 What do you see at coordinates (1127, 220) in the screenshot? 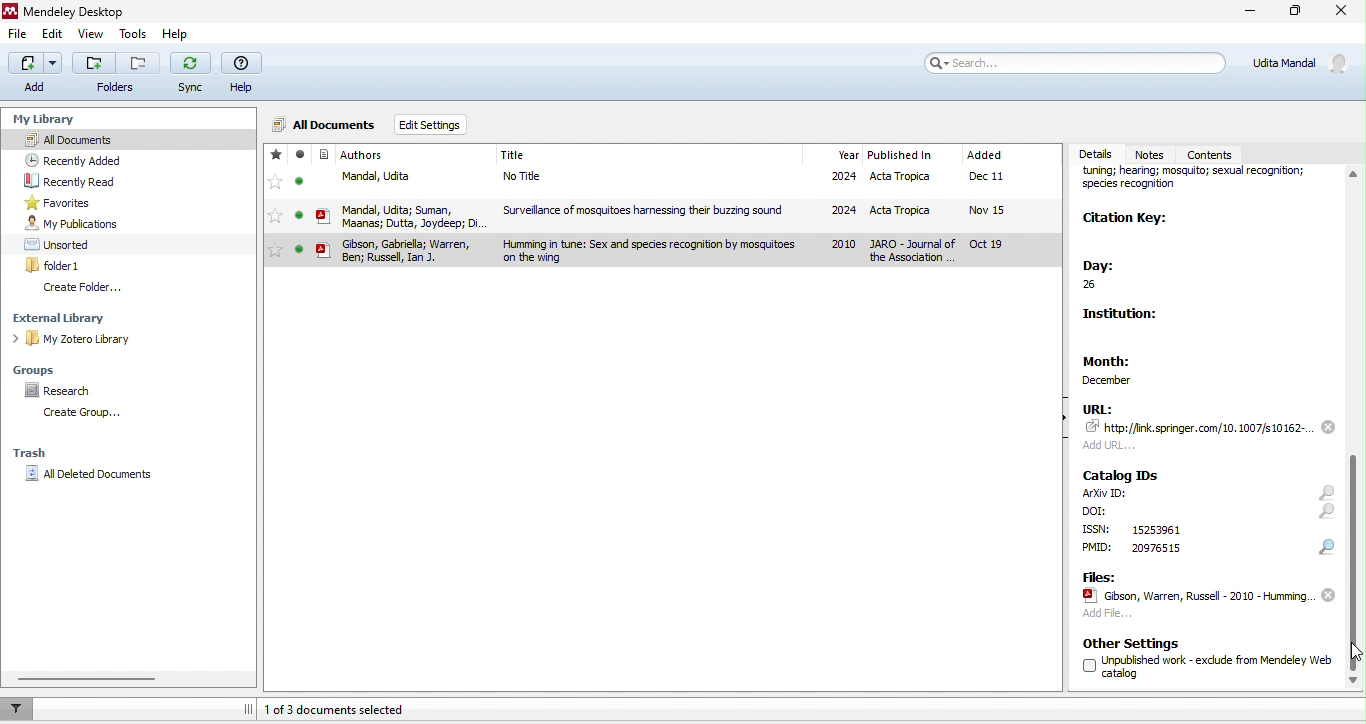
I see `citation key` at bounding box center [1127, 220].